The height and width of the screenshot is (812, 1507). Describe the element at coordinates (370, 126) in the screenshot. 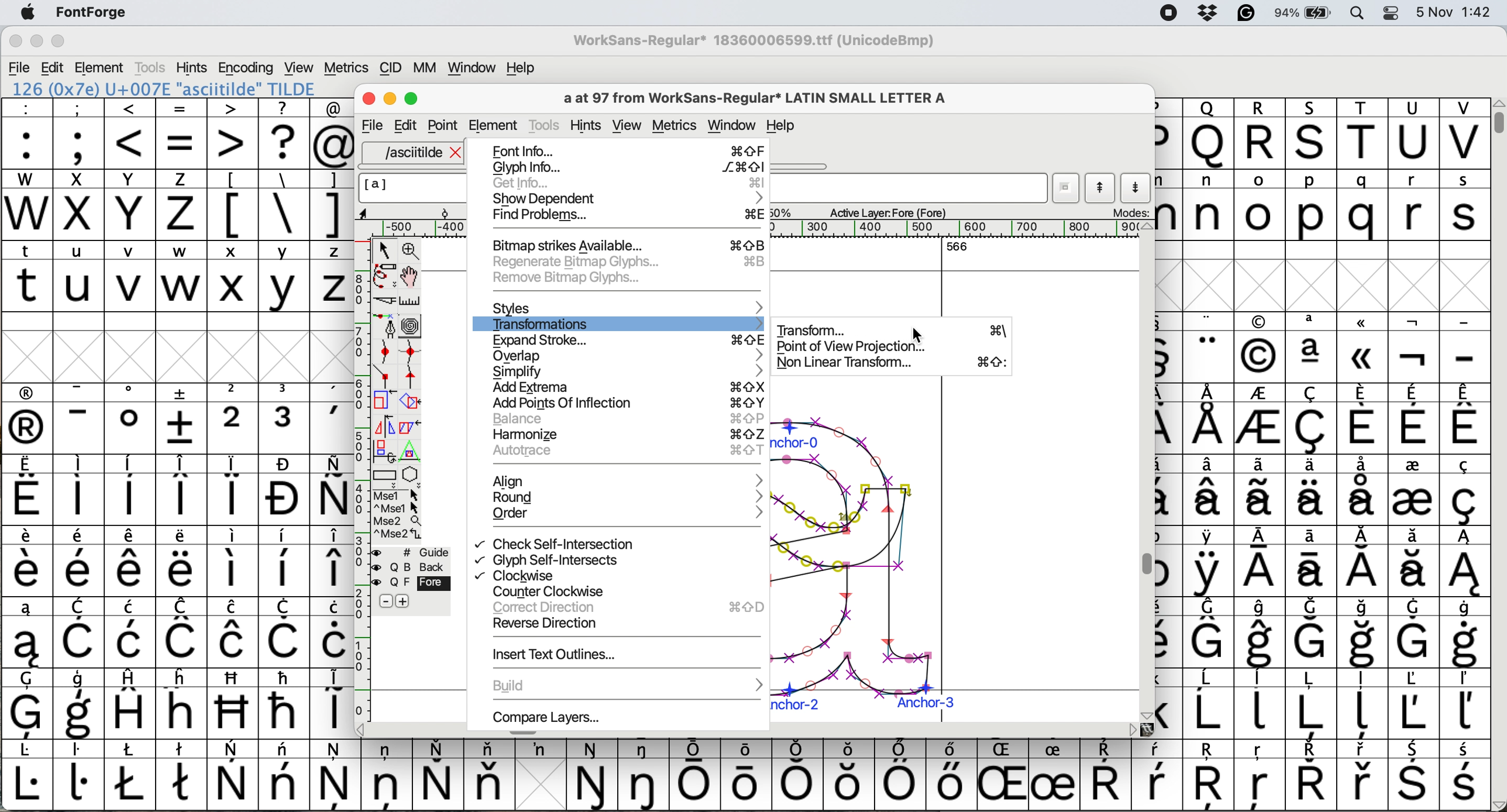

I see `file` at that location.